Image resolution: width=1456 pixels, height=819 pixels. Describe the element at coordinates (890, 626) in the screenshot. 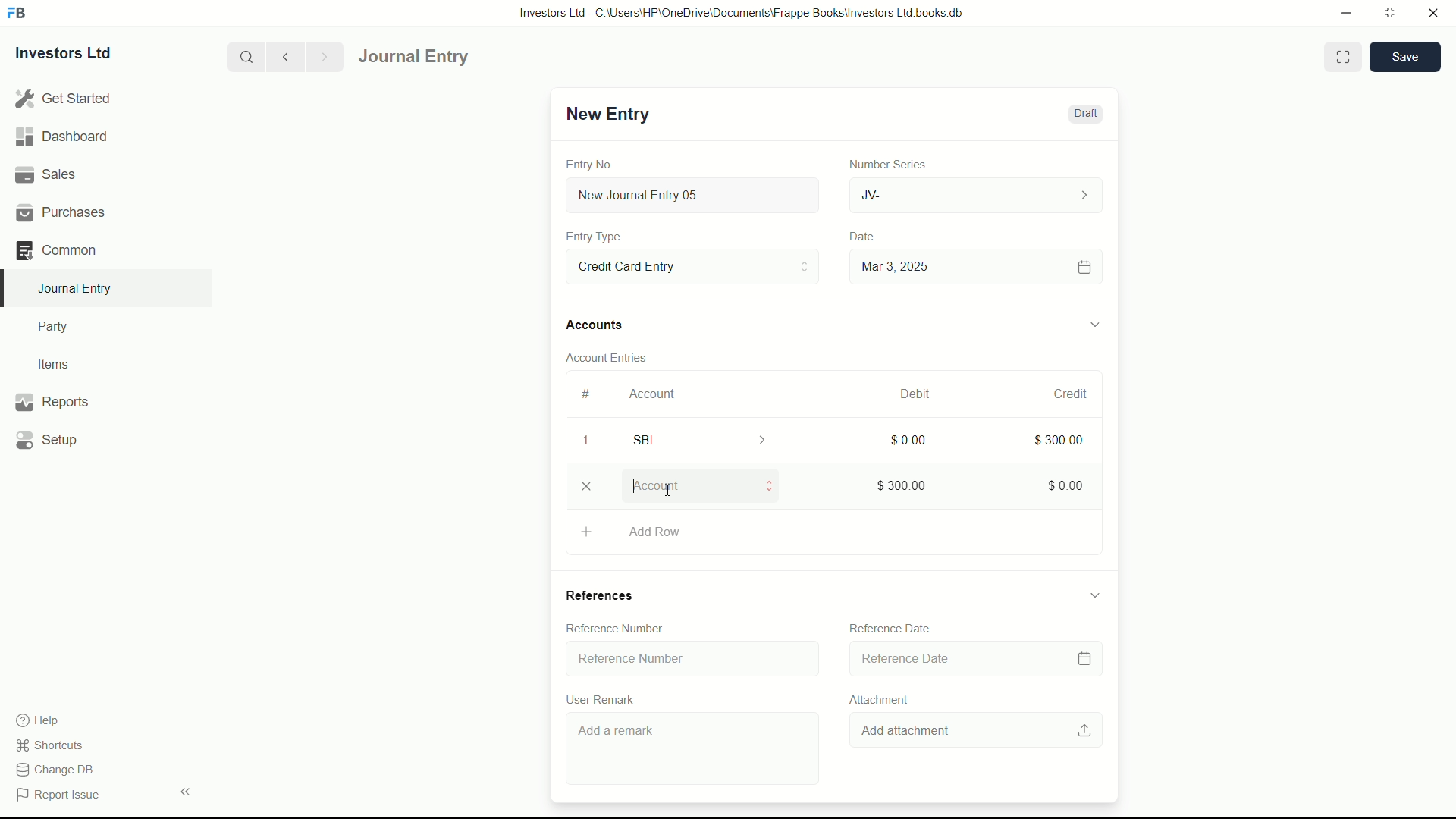

I see `Reference Date` at that location.